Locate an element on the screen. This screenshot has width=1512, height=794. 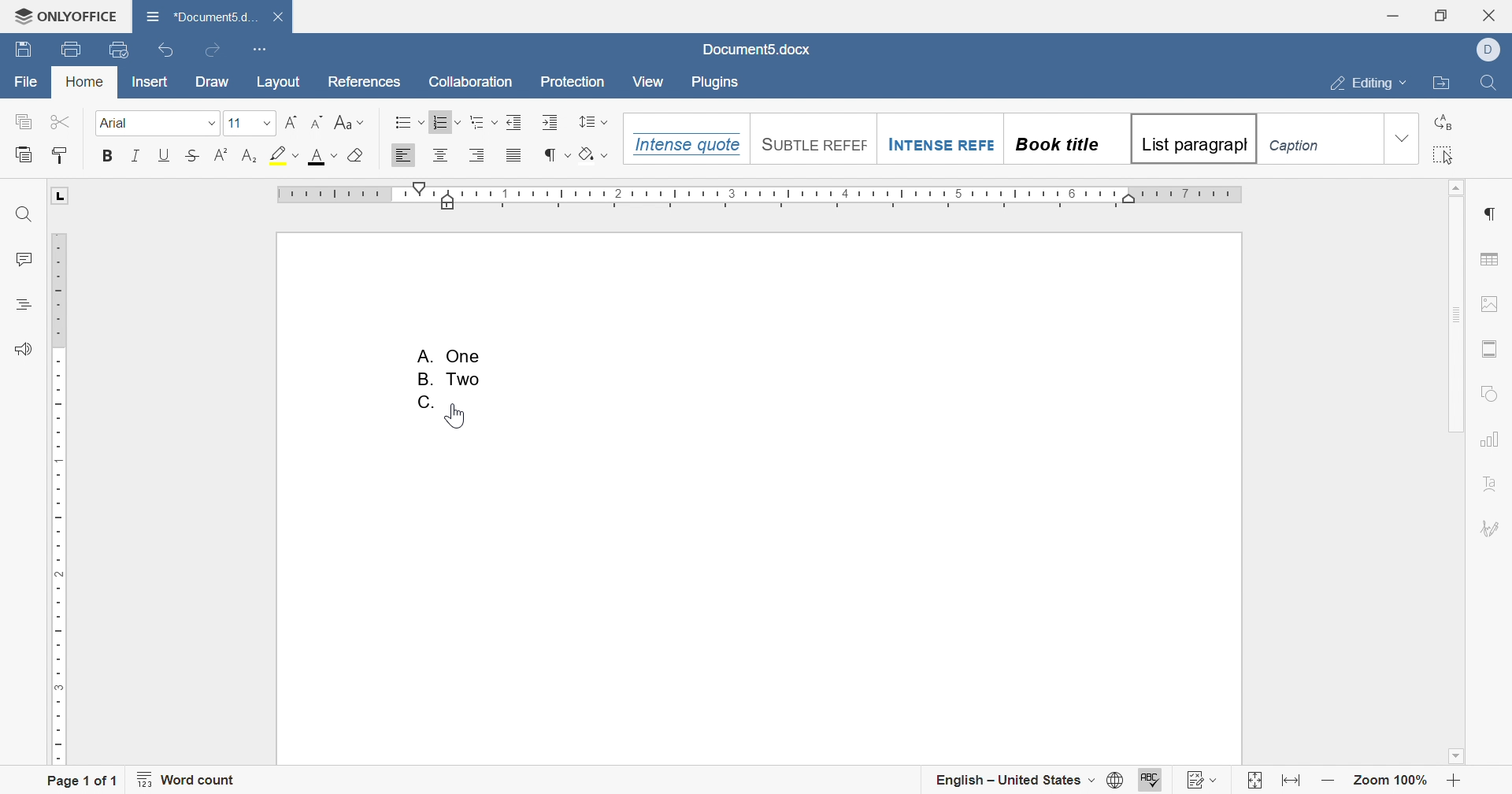
Bold is located at coordinates (108, 155).